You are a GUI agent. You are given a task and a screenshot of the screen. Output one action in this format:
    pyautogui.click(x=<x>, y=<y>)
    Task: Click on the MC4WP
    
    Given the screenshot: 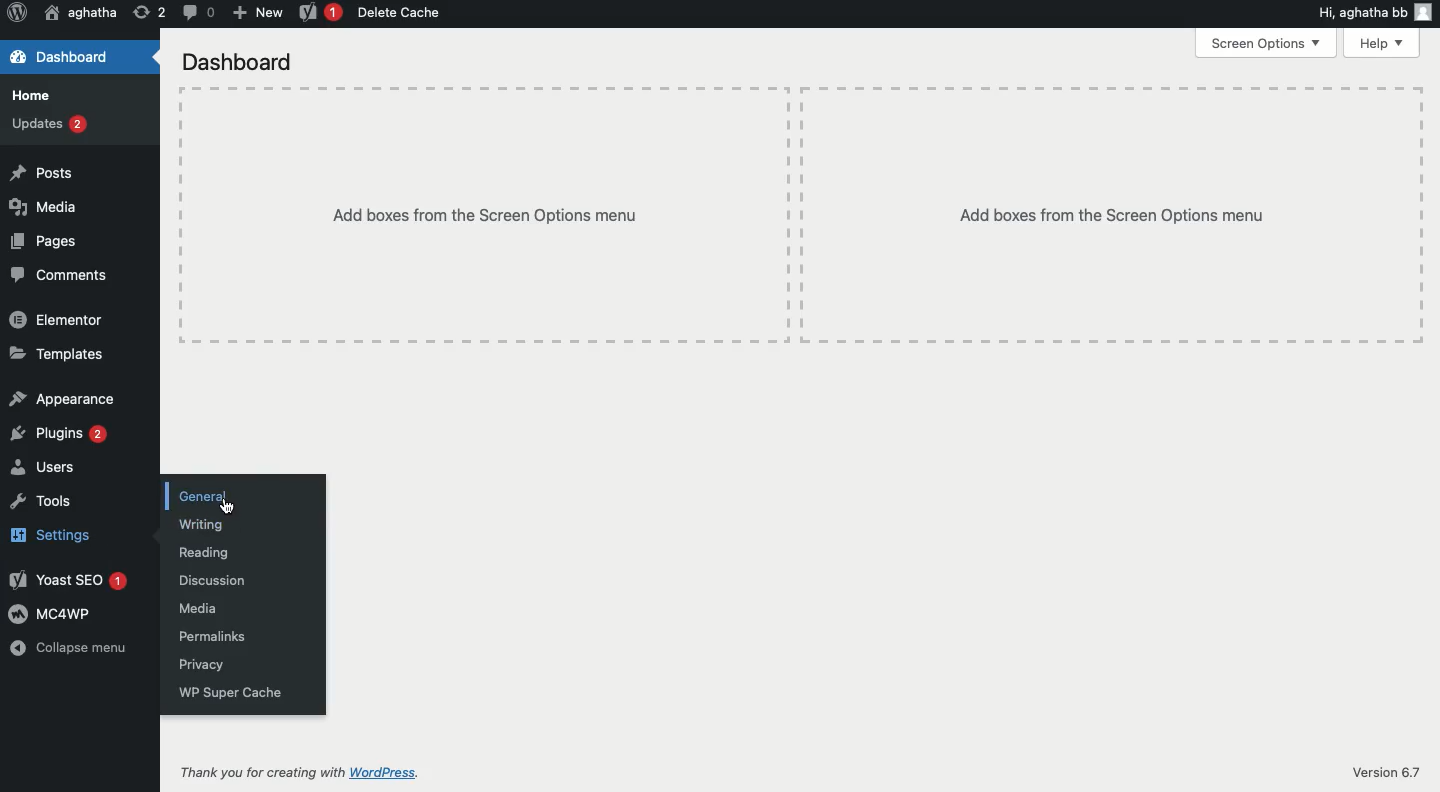 What is the action you would take?
    pyautogui.click(x=49, y=615)
    